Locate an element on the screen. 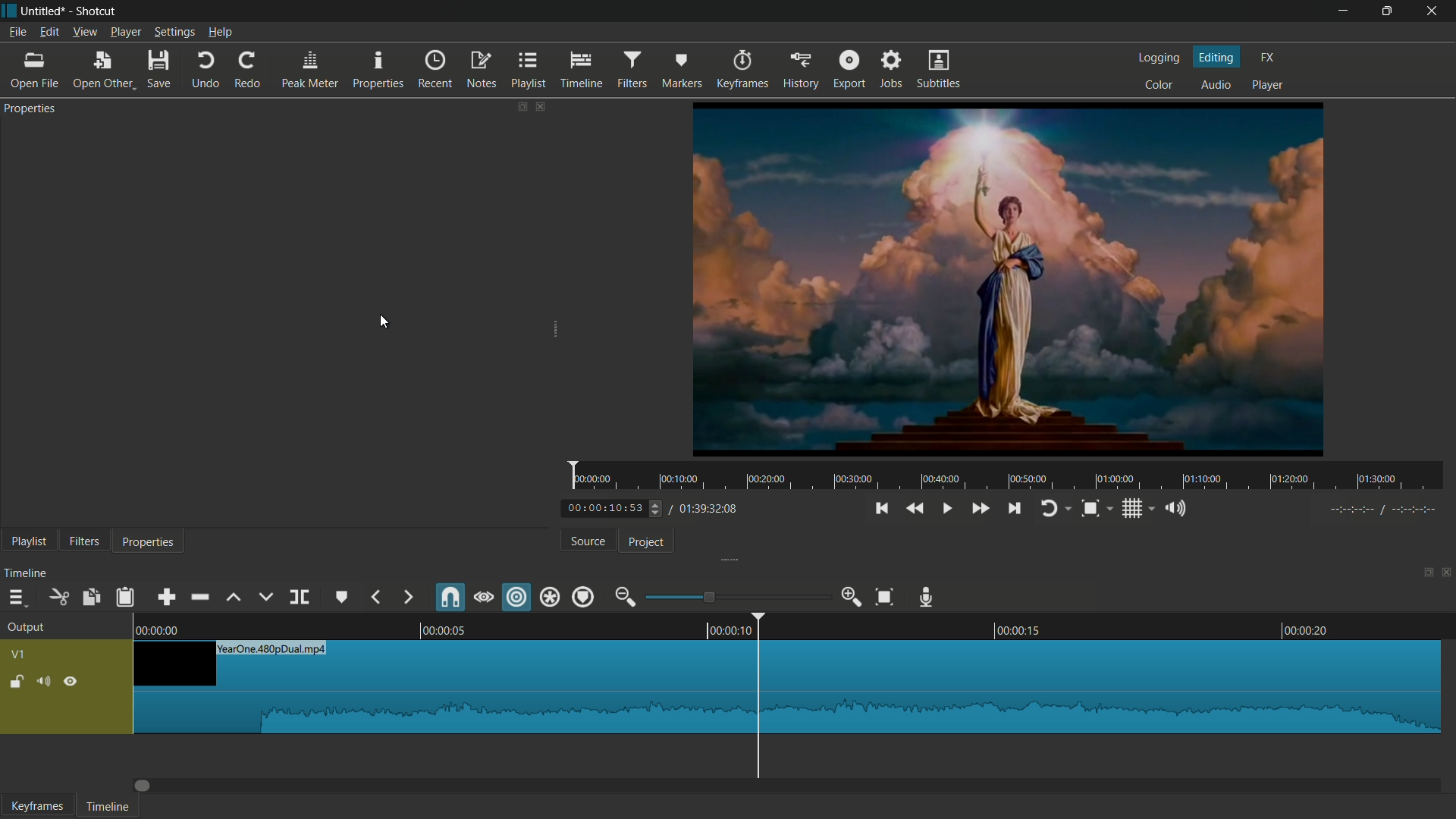  split at playhead is located at coordinates (302, 595).